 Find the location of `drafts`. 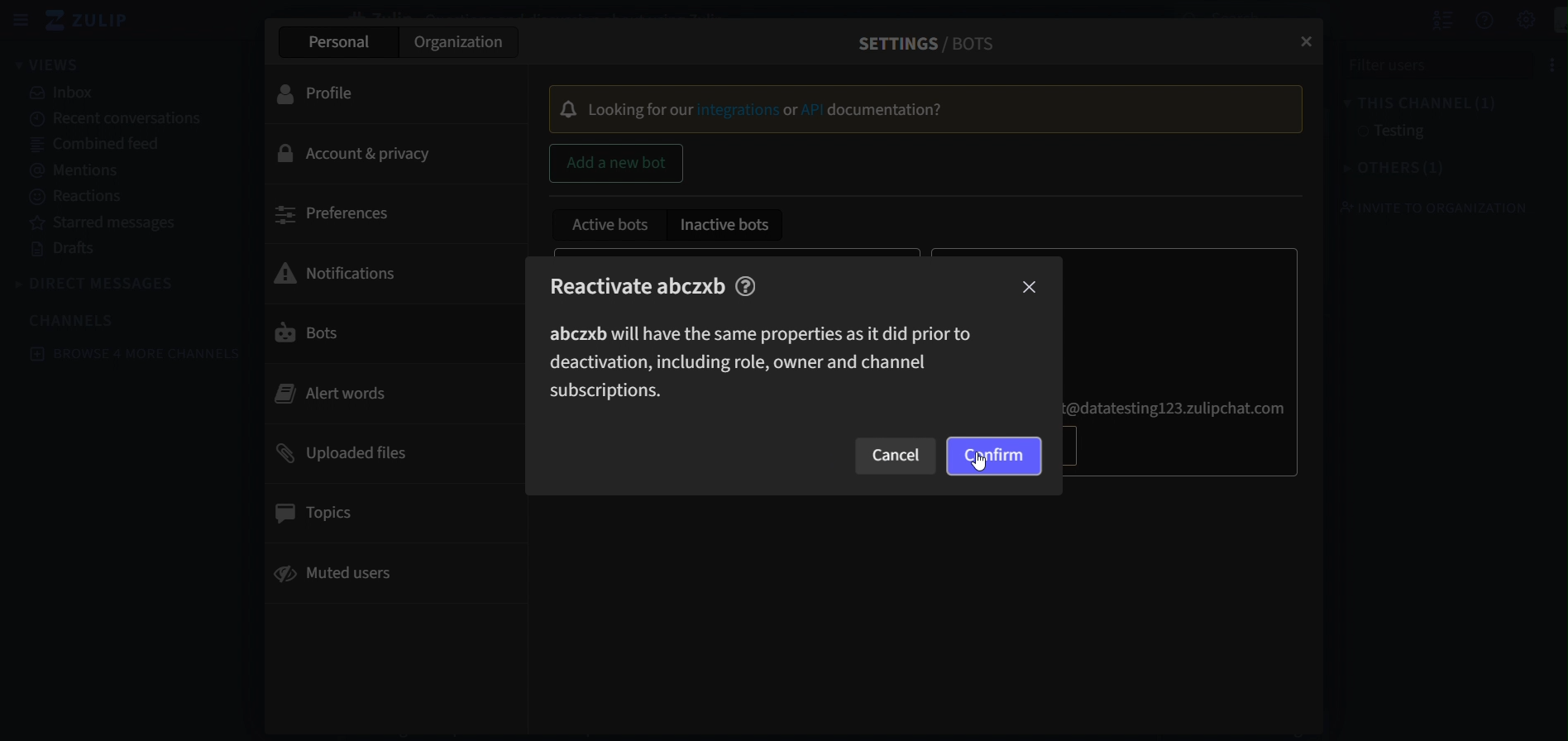

drafts is located at coordinates (69, 250).